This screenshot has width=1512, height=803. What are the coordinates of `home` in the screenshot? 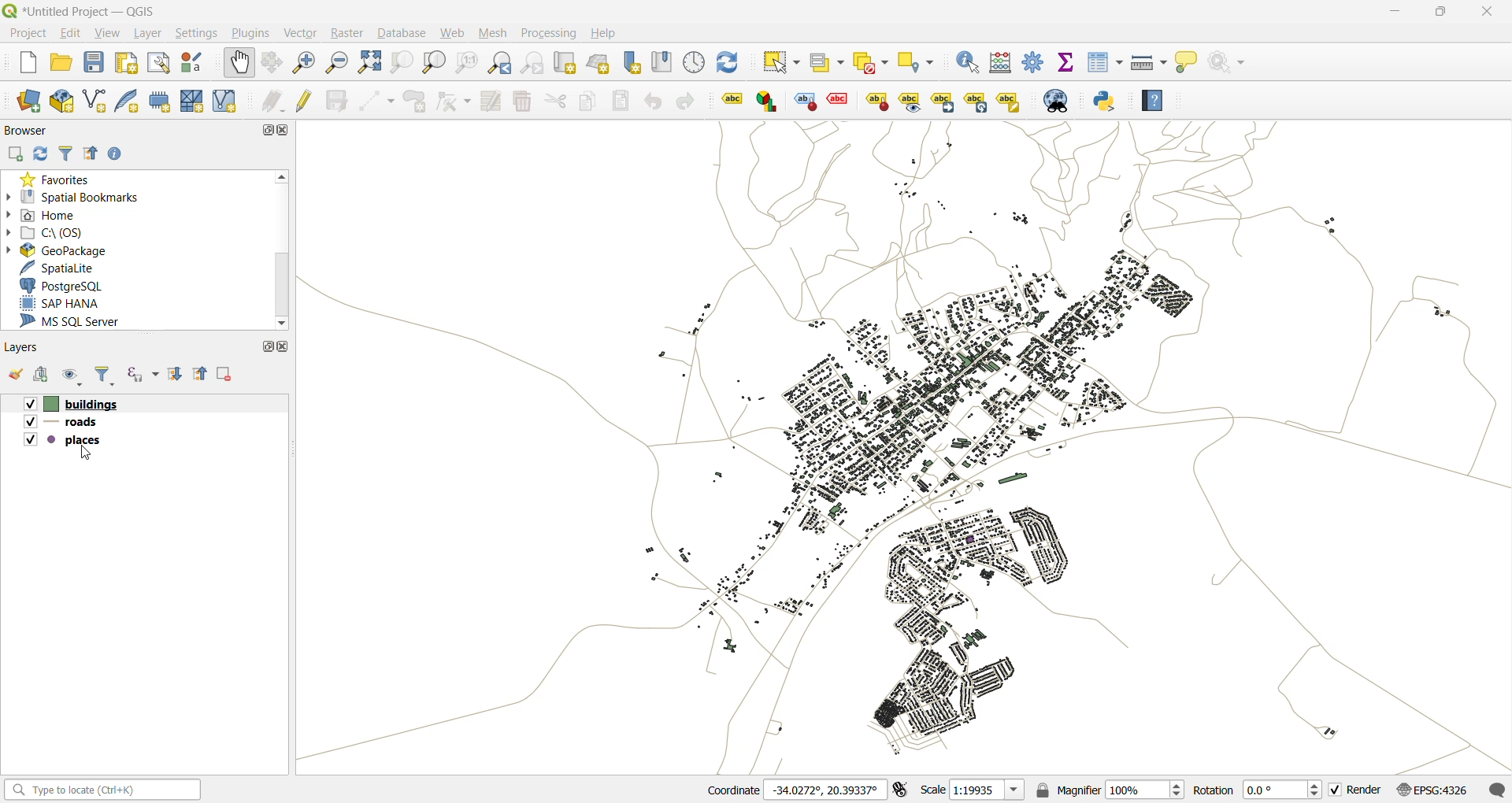 It's located at (52, 213).